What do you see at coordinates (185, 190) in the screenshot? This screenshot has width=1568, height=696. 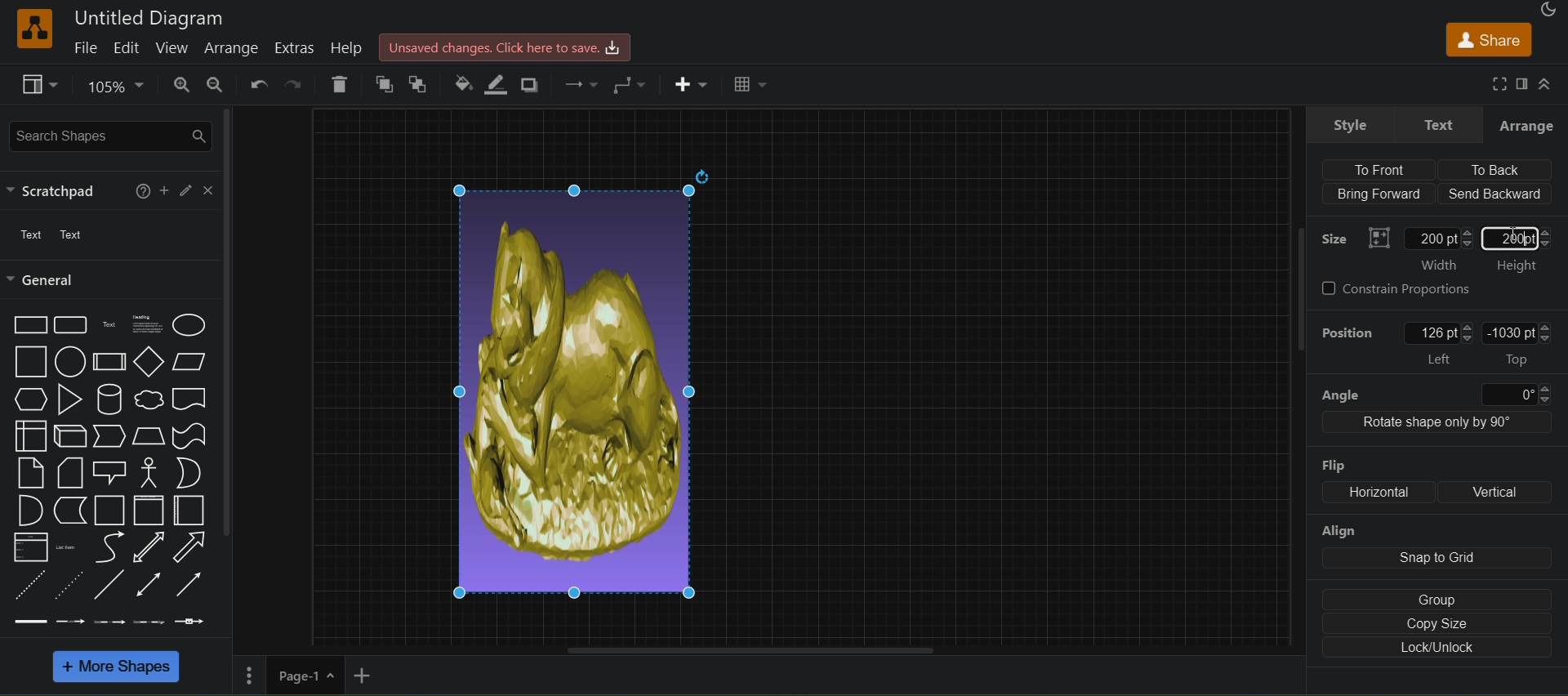 I see `edit` at bounding box center [185, 190].